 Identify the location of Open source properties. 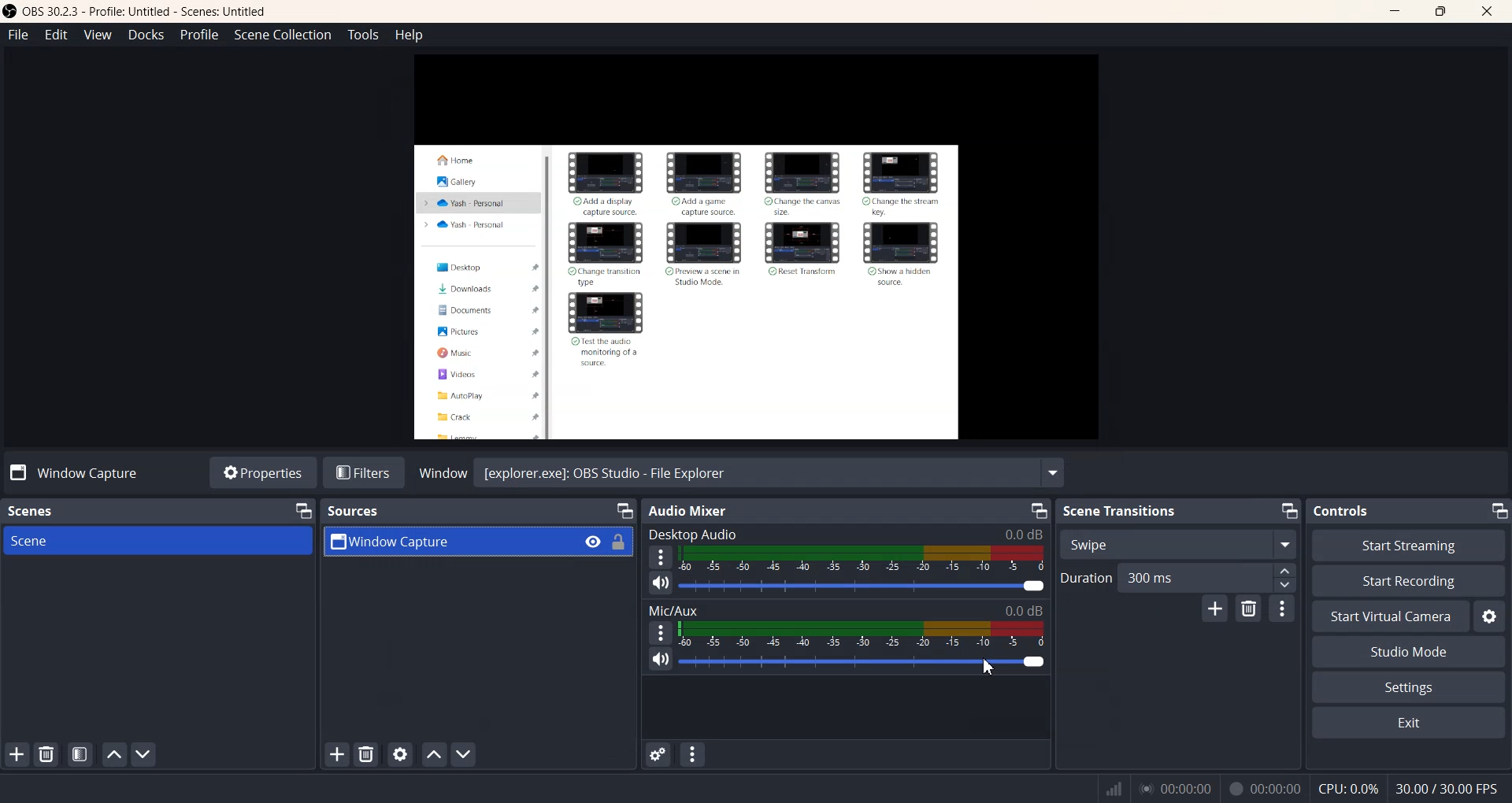
(400, 753).